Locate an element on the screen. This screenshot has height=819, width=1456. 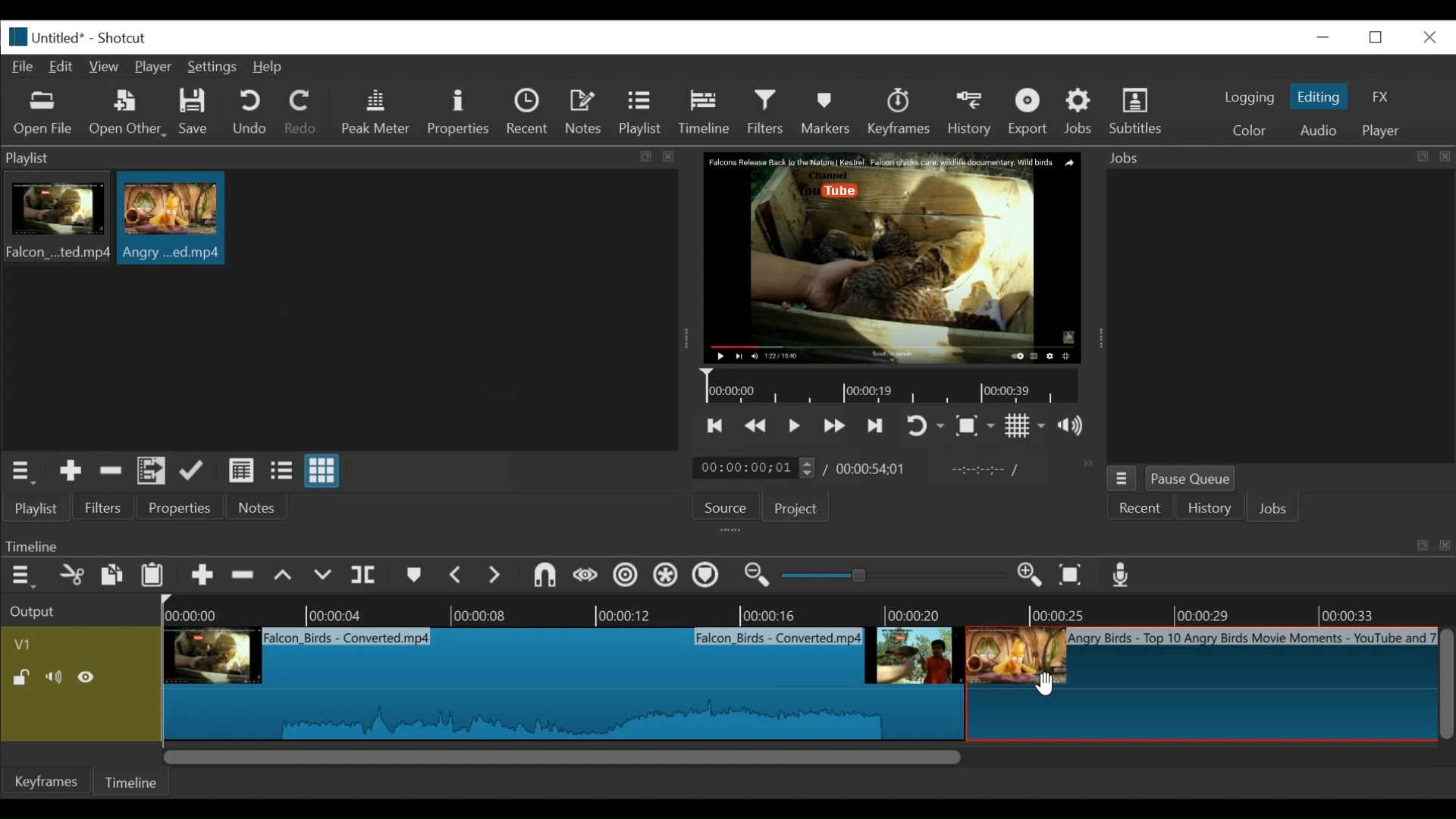
JOBS is located at coordinates (1275, 510).